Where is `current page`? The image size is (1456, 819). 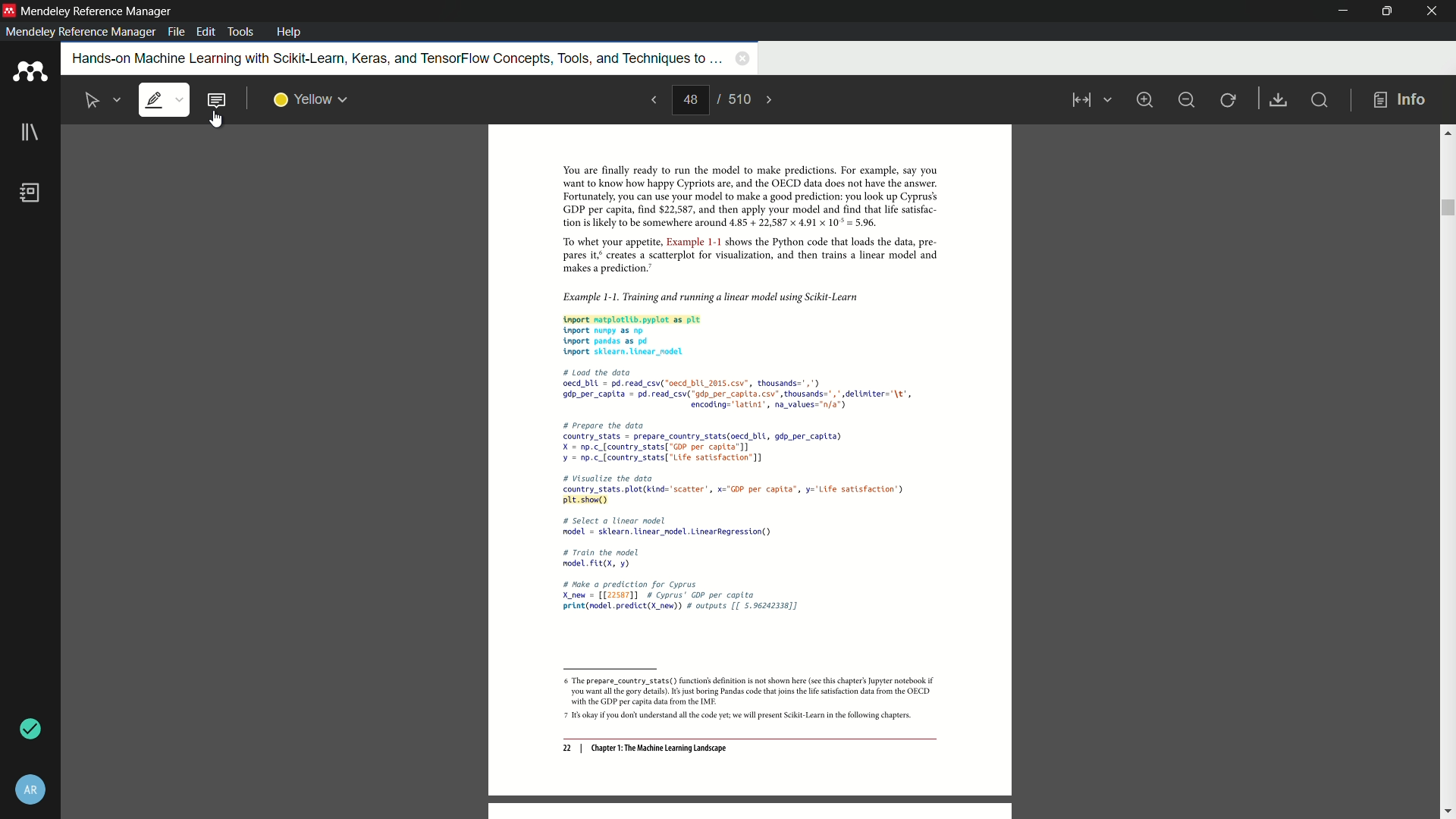
current page is located at coordinates (690, 100).